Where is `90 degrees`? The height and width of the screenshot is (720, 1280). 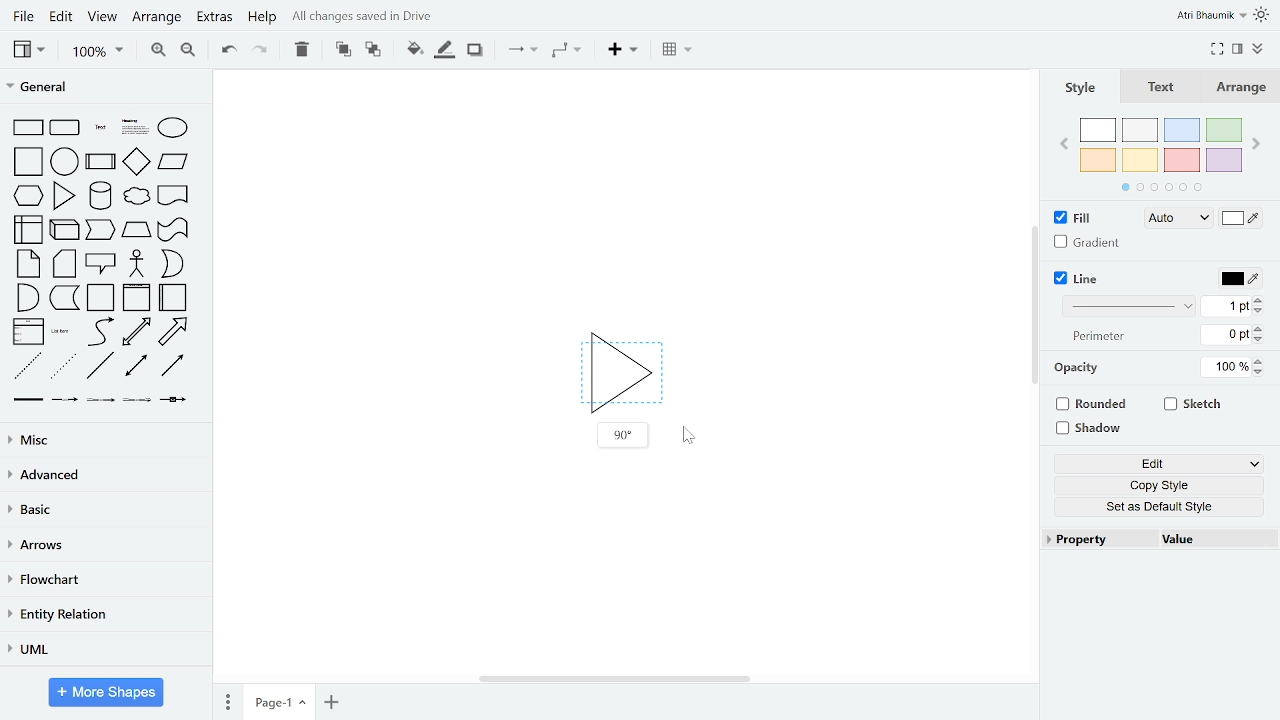
90 degrees is located at coordinates (621, 435).